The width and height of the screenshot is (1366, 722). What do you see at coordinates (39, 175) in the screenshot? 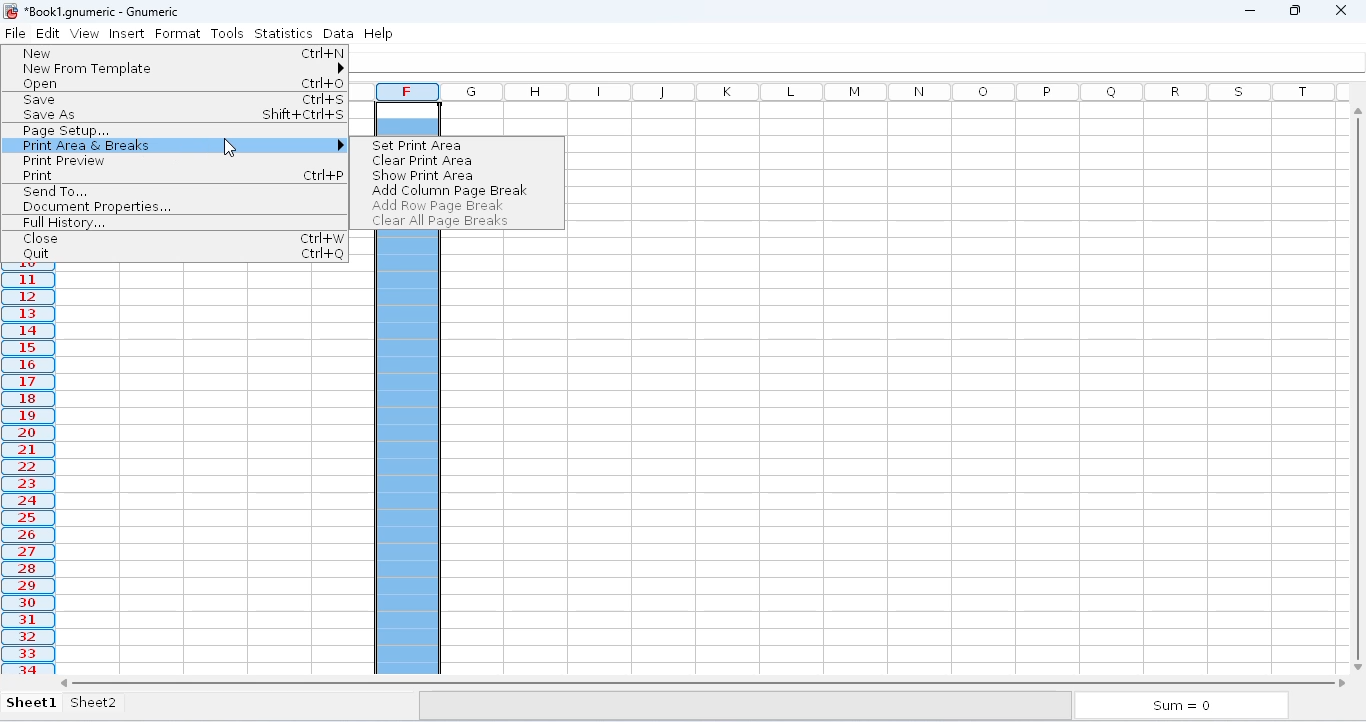
I see `print` at bounding box center [39, 175].